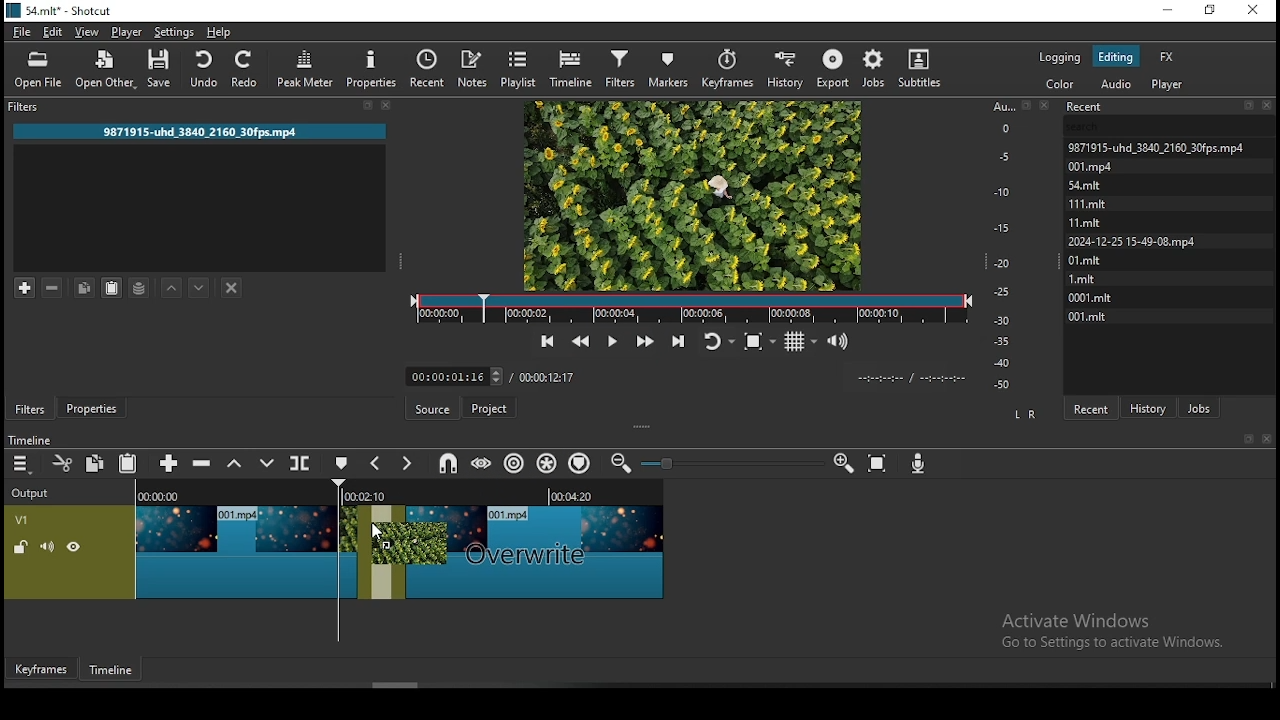 The image size is (1280, 720). Describe the element at coordinates (382, 552) in the screenshot. I see `video clip (active selection)` at that location.